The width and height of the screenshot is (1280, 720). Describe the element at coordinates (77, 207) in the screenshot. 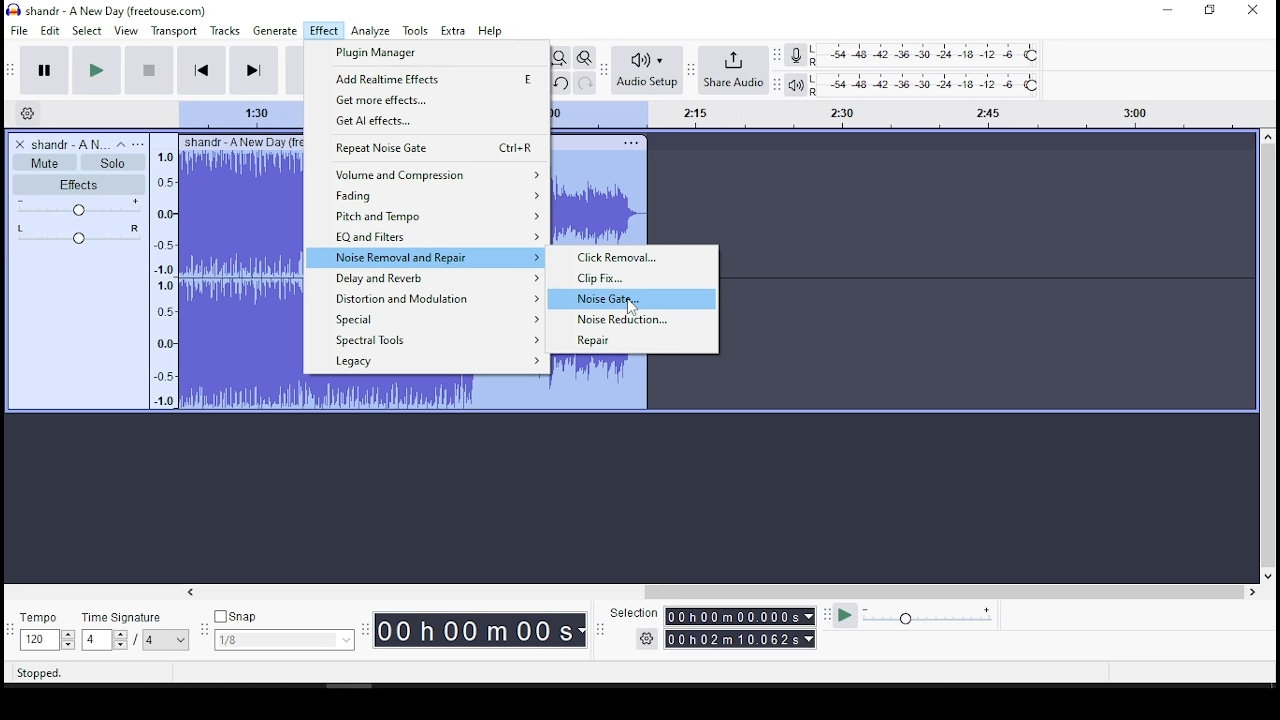

I see `volume` at that location.